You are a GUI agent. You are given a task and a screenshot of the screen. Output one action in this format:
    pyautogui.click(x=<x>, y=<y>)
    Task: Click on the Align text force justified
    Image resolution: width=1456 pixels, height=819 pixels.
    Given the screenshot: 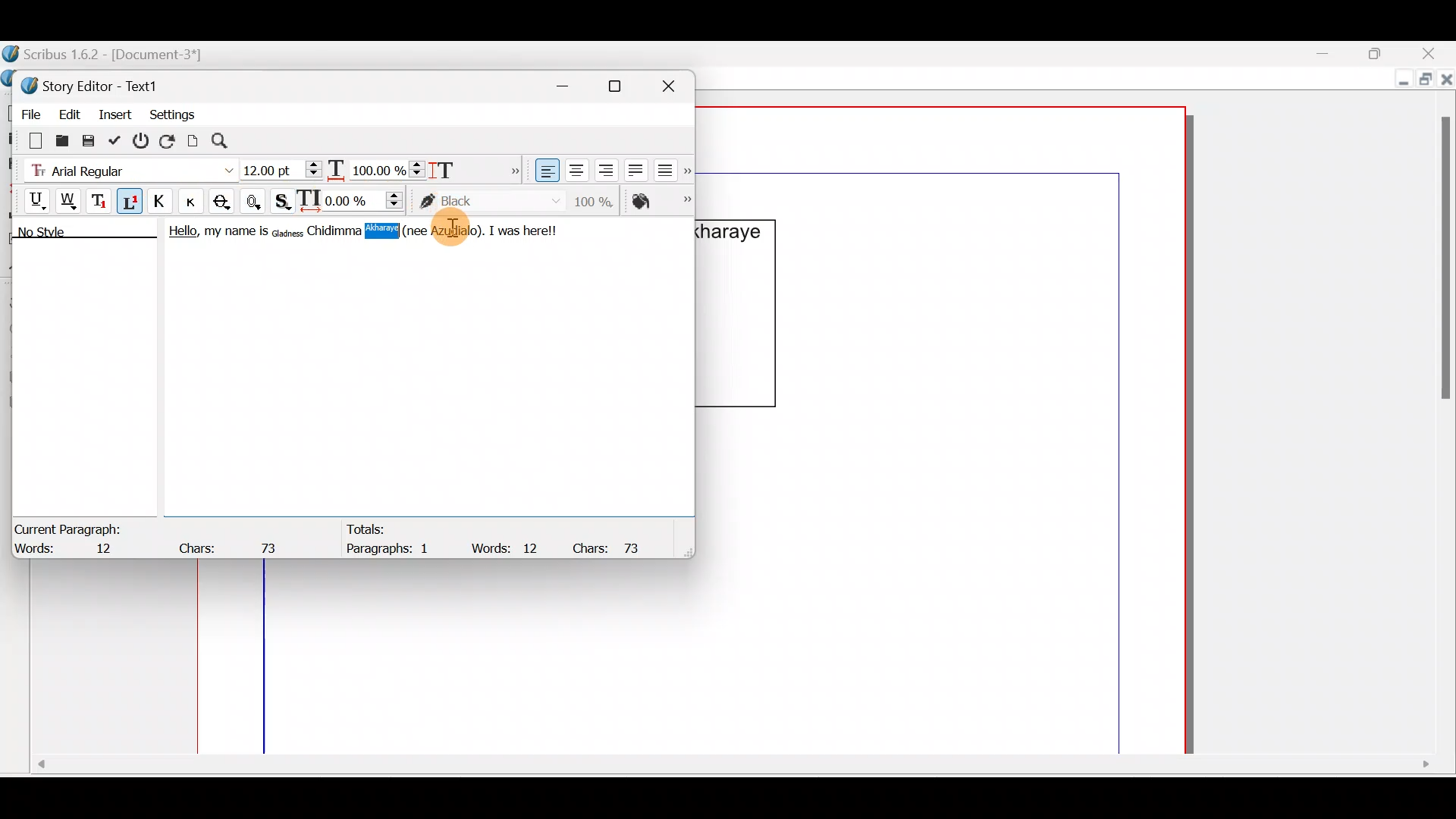 What is the action you would take?
    pyautogui.click(x=670, y=167)
    